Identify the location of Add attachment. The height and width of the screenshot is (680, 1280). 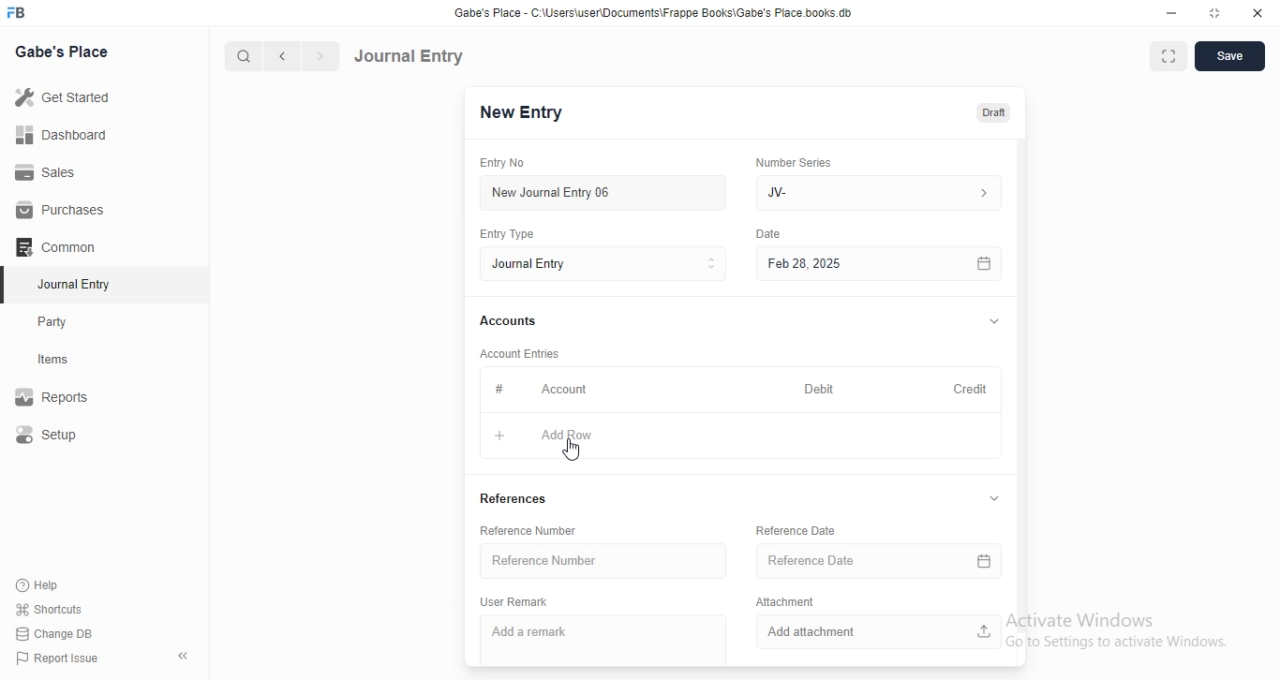
(878, 632).